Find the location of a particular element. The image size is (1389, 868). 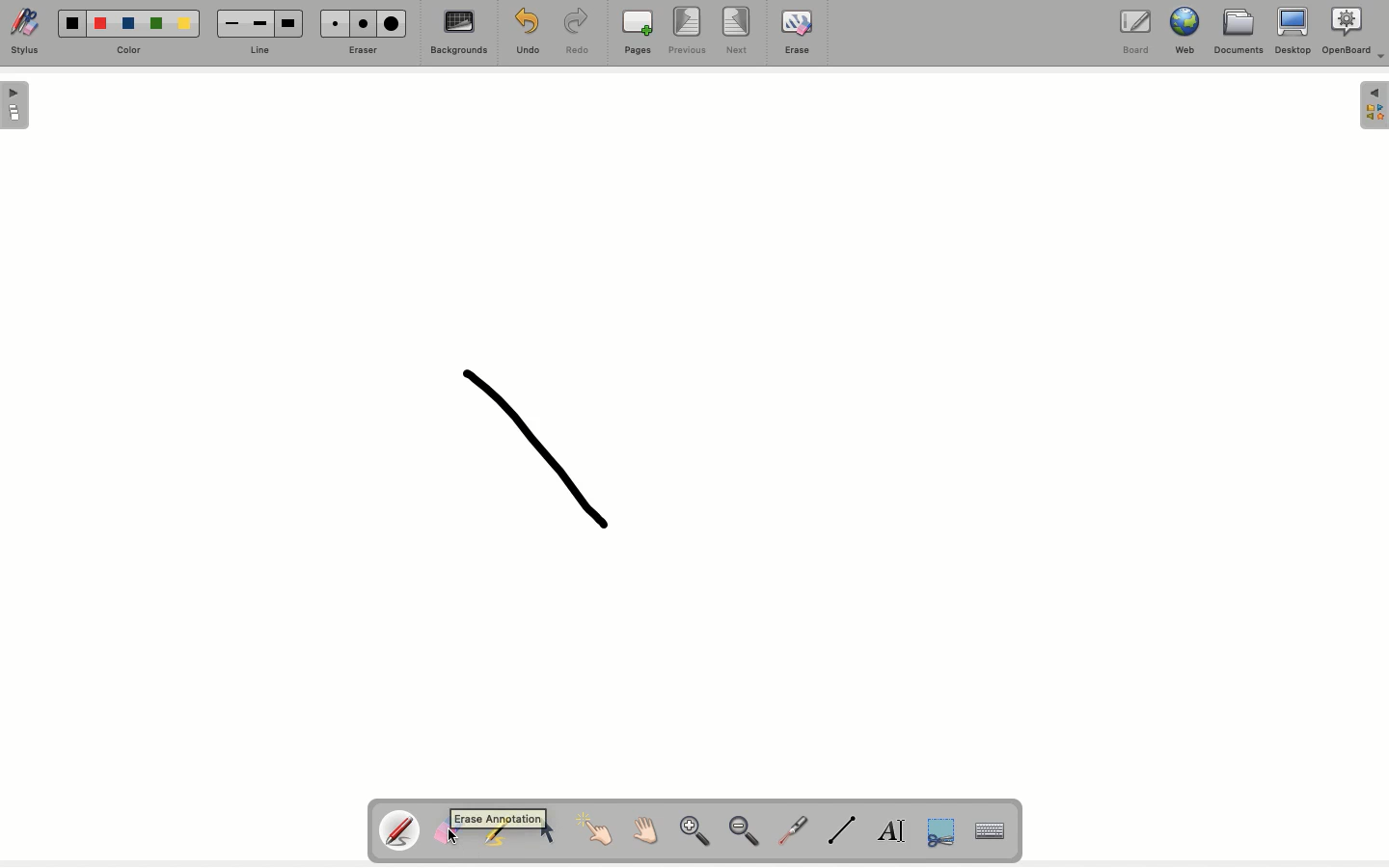

Redo is located at coordinates (579, 34).